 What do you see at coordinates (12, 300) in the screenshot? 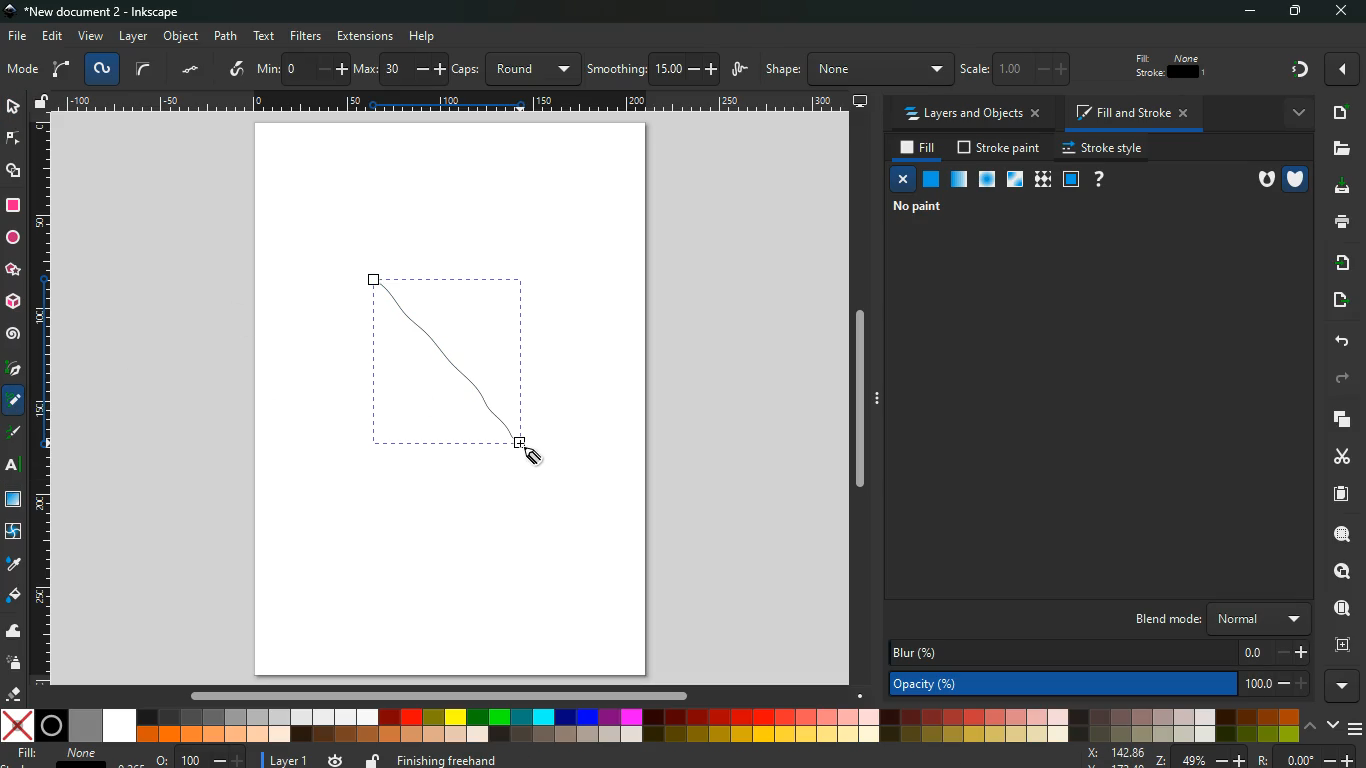
I see `3d tool box` at bounding box center [12, 300].